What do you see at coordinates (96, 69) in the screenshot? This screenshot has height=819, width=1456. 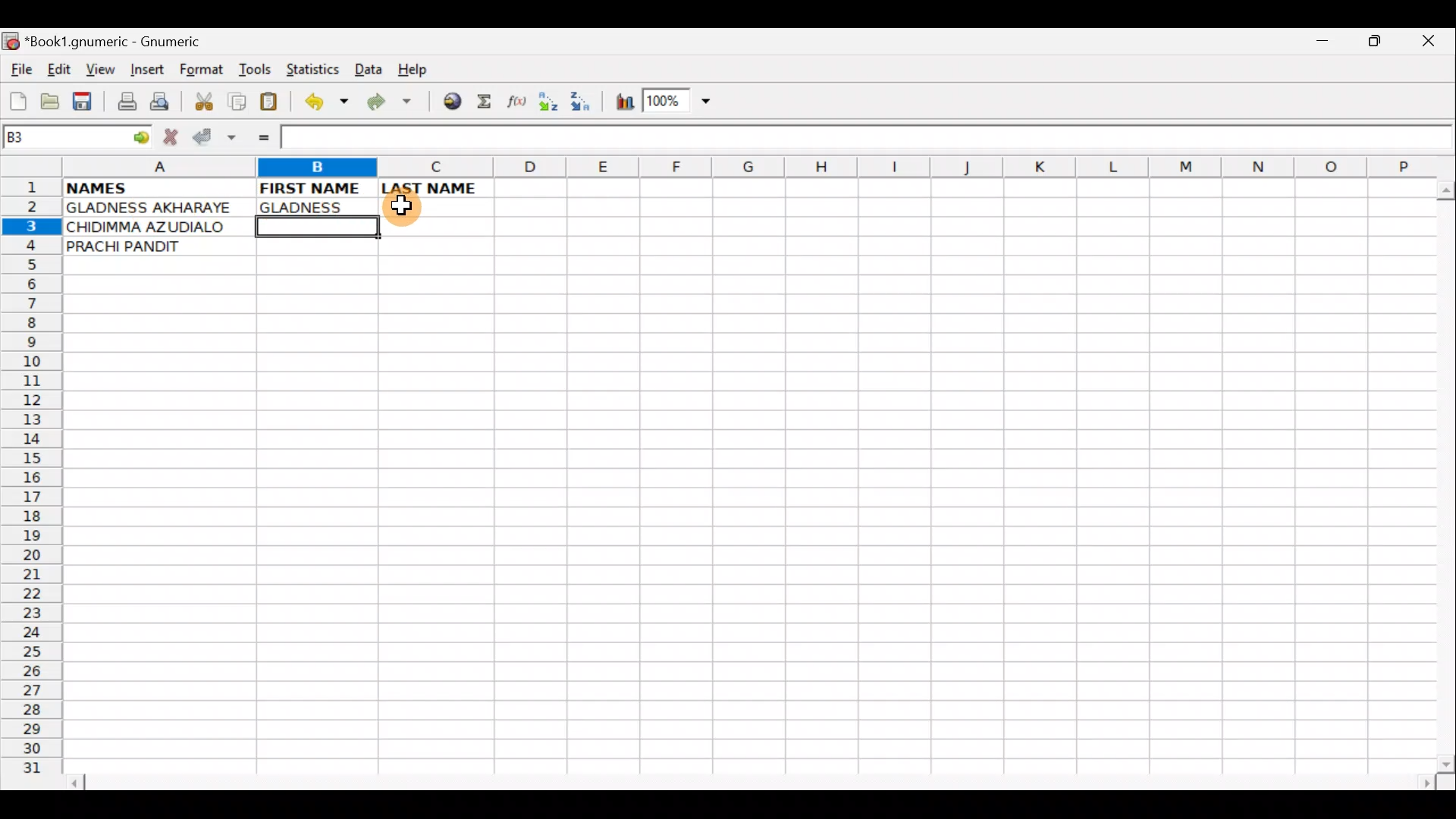 I see `View` at bounding box center [96, 69].